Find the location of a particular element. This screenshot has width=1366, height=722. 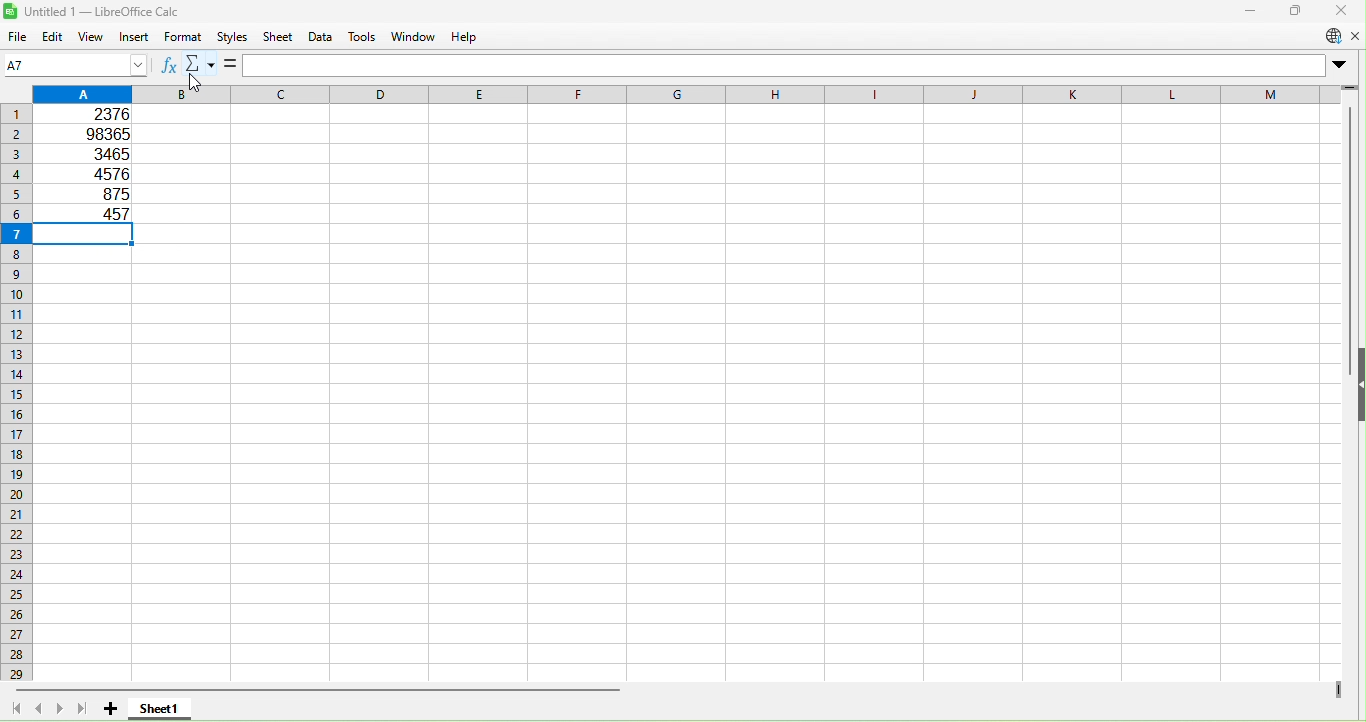

Cursor is located at coordinates (198, 71).